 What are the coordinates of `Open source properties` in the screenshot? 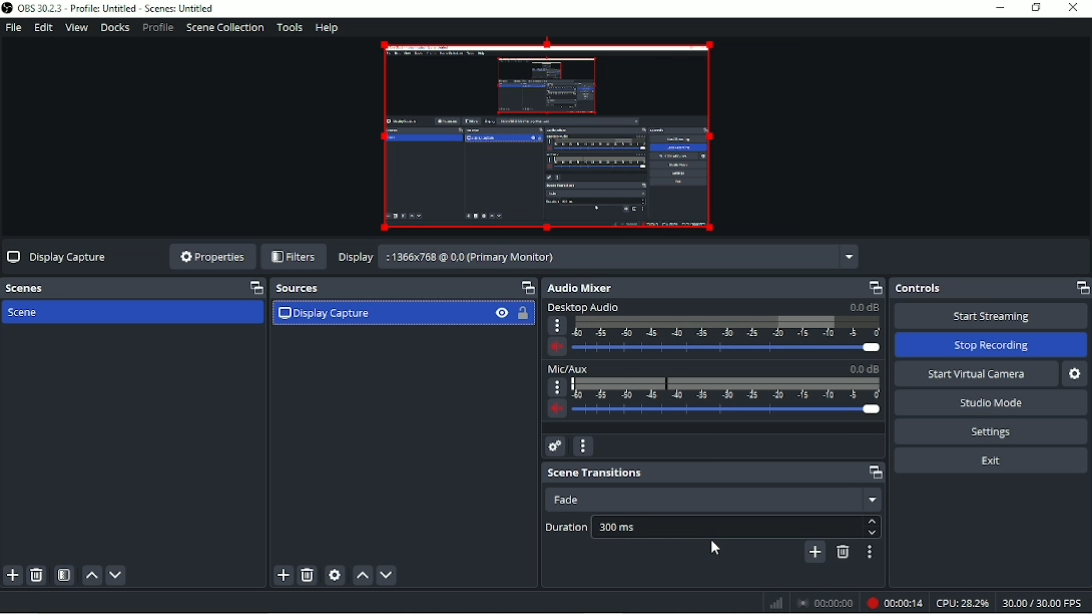 It's located at (336, 575).